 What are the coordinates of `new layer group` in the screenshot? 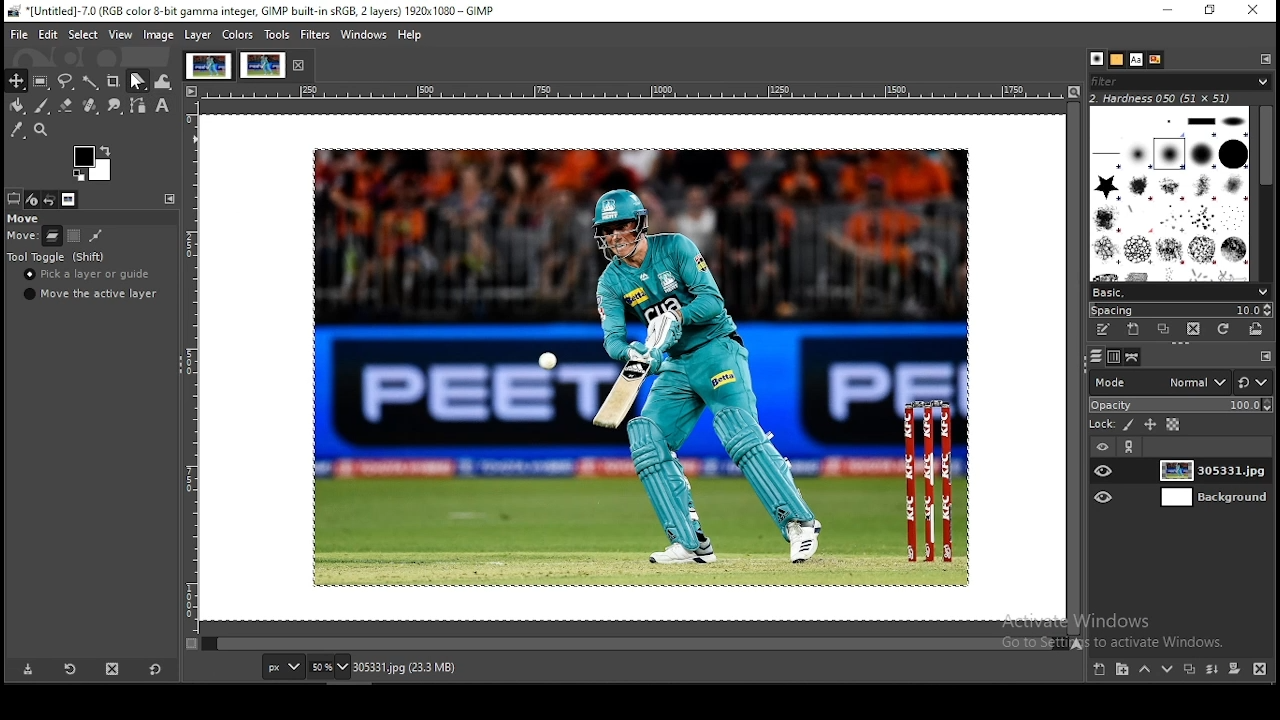 It's located at (1121, 670).